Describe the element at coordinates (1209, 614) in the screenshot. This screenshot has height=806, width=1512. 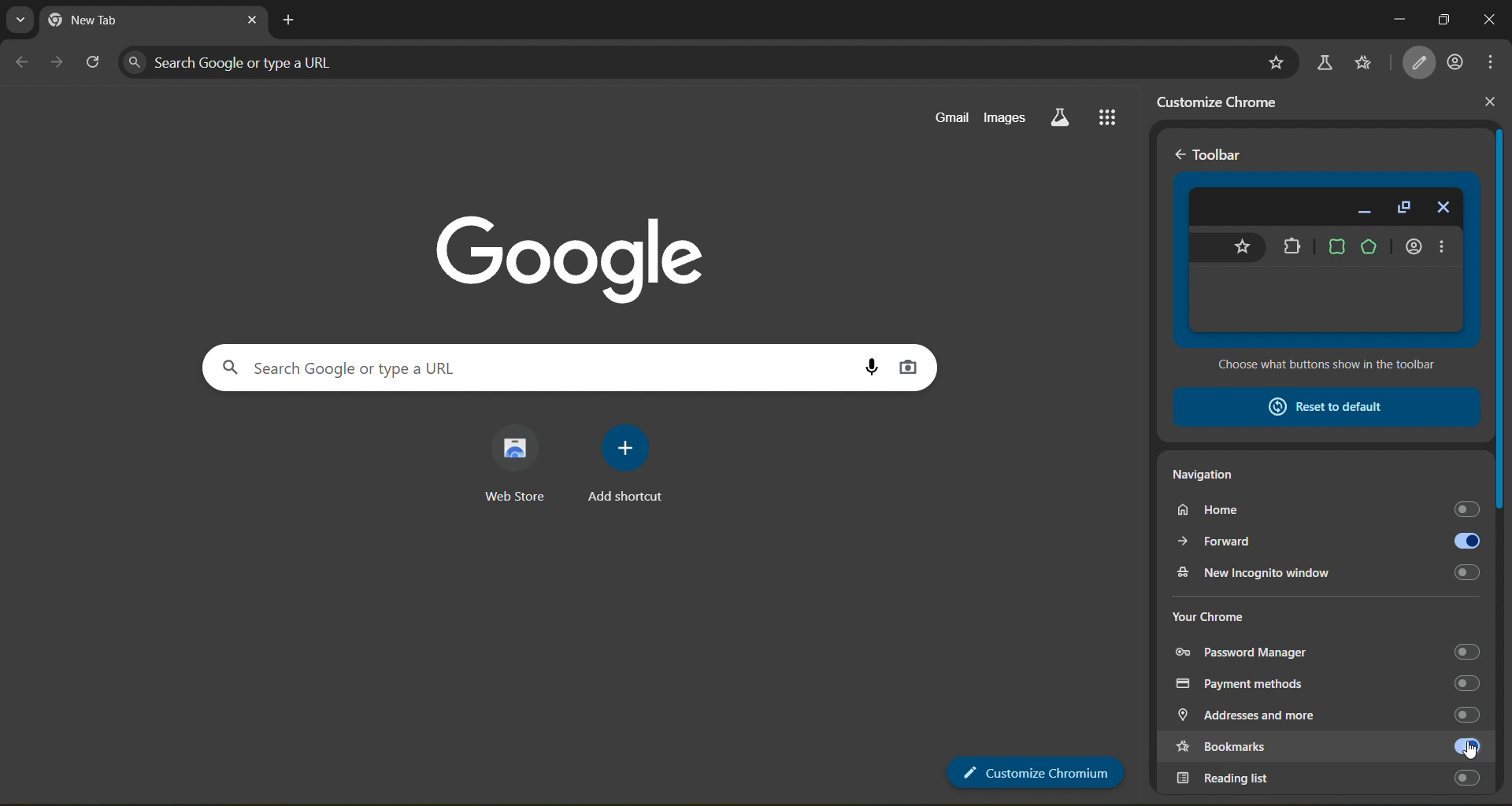
I see `your chrome` at that location.